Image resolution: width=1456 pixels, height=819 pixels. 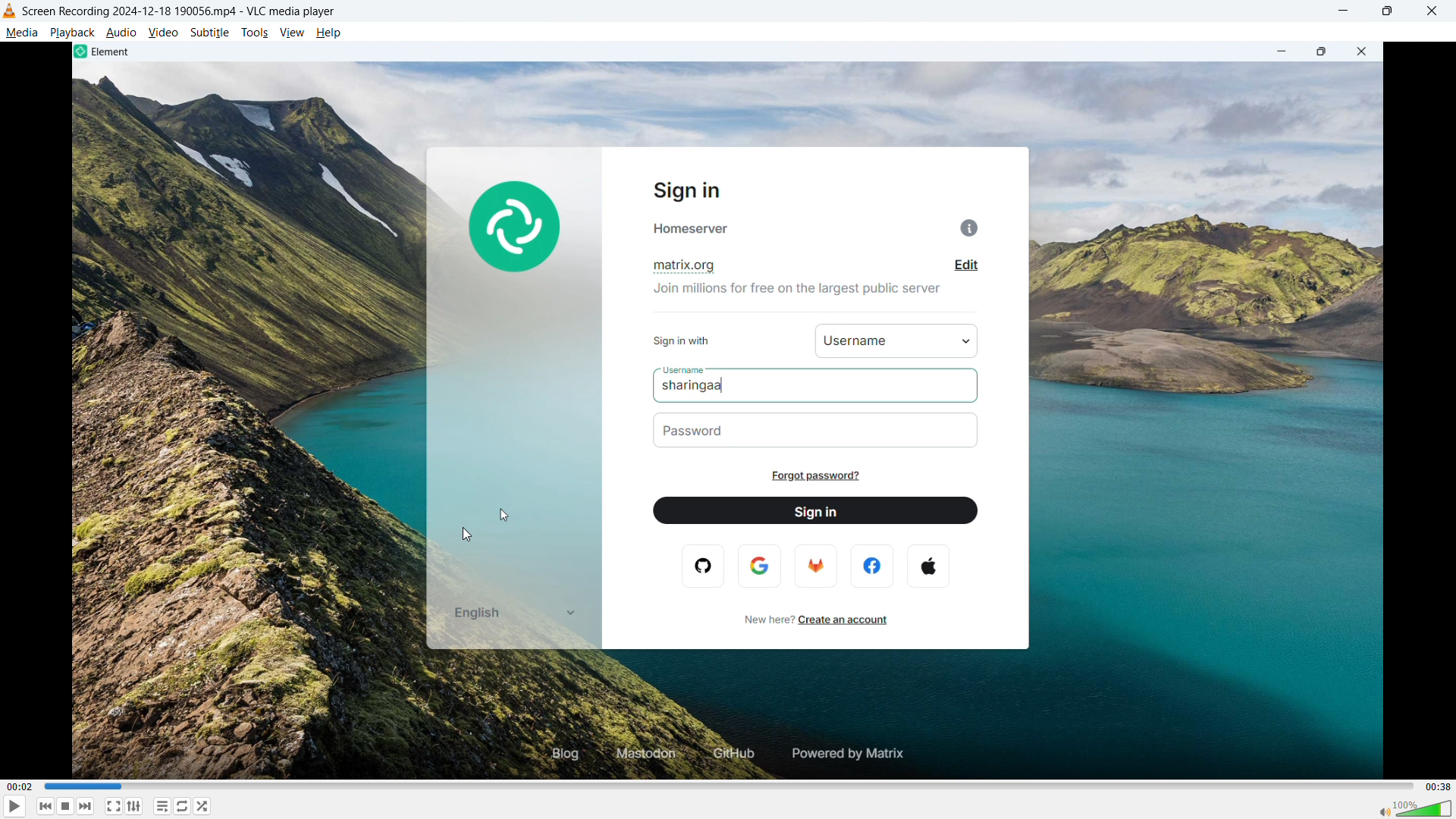 What do you see at coordinates (568, 613) in the screenshot?
I see `show more` at bounding box center [568, 613].